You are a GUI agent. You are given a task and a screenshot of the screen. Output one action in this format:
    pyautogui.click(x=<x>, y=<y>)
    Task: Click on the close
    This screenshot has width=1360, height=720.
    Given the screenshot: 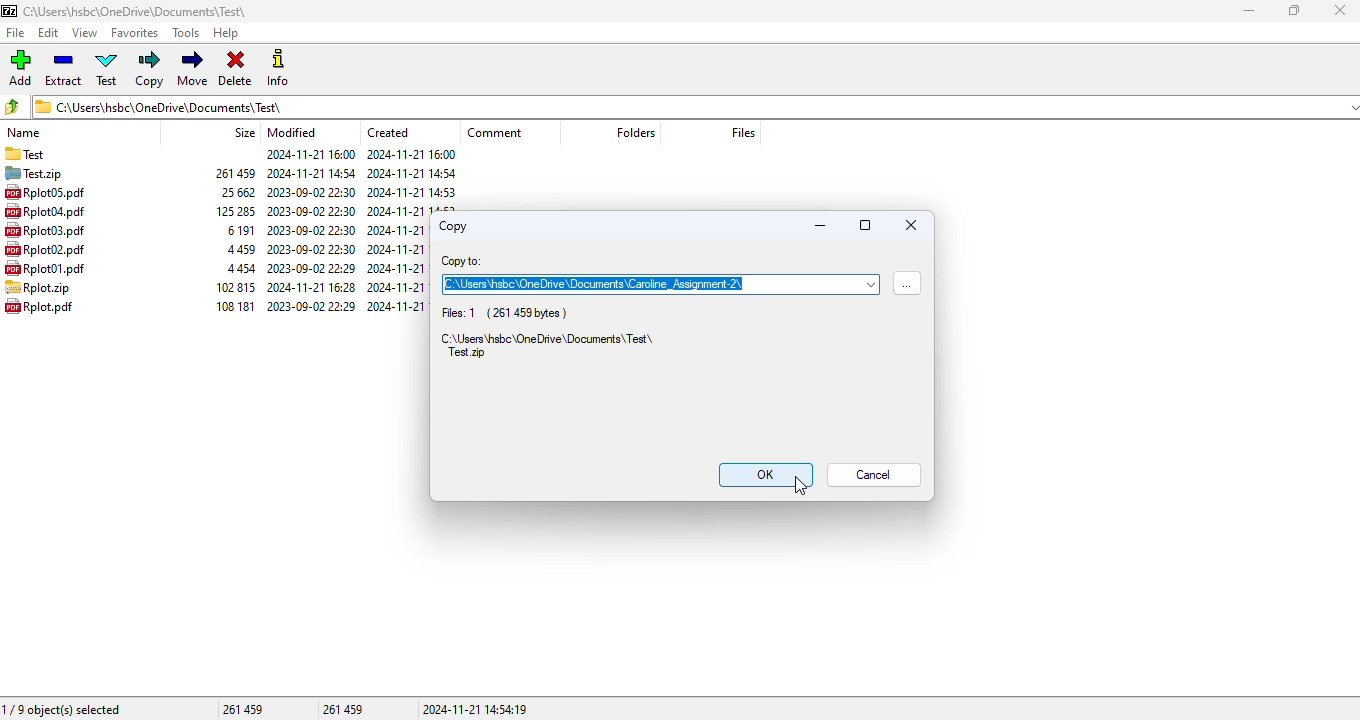 What is the action you would take?
    pyautogui.click(x=1340, y=10)
    